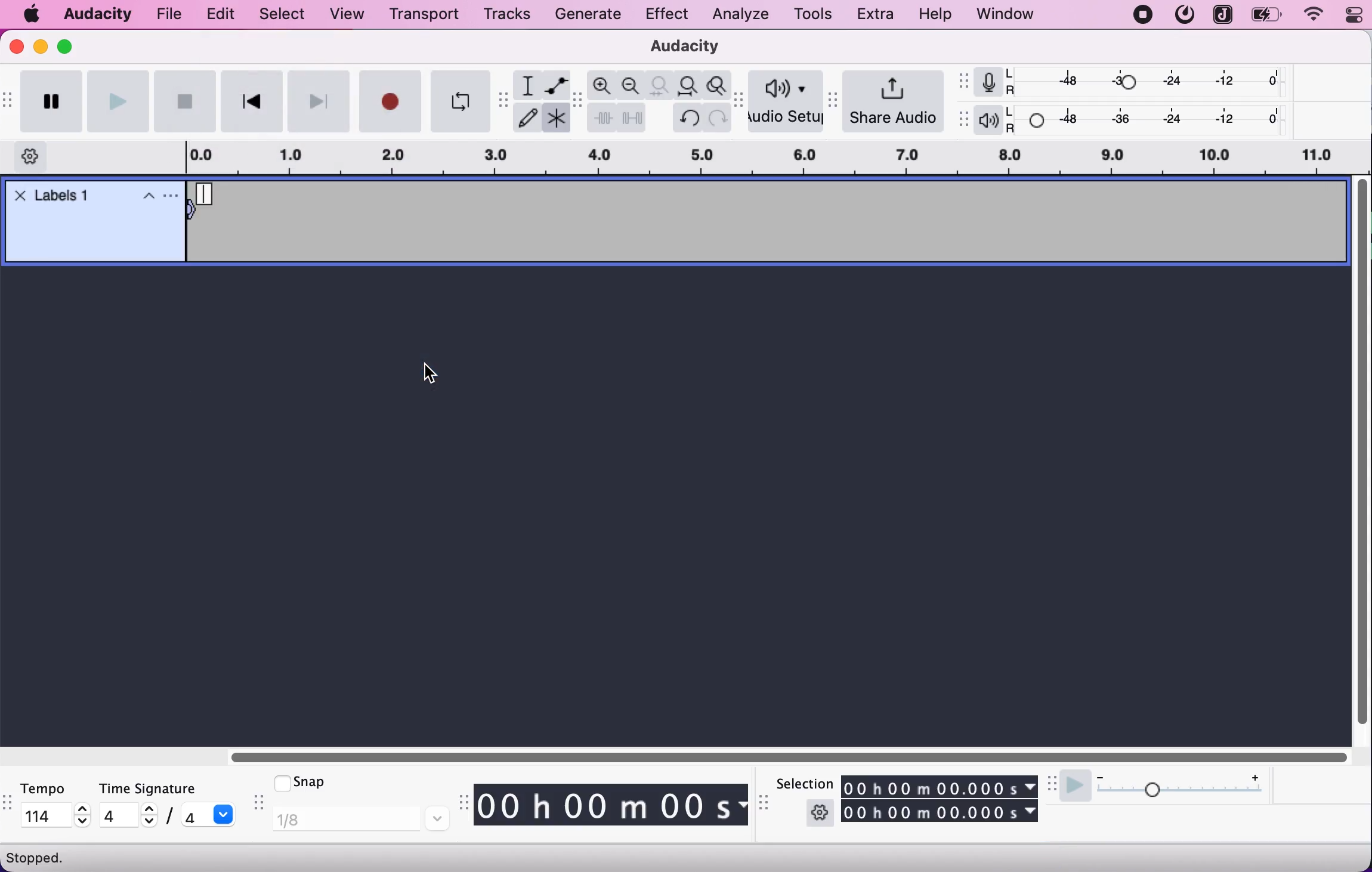 The image size is (1372, 872). What do you see at coordinates (937, 15) in the screenshot?
I see `help` at bounding box center [937, 15].